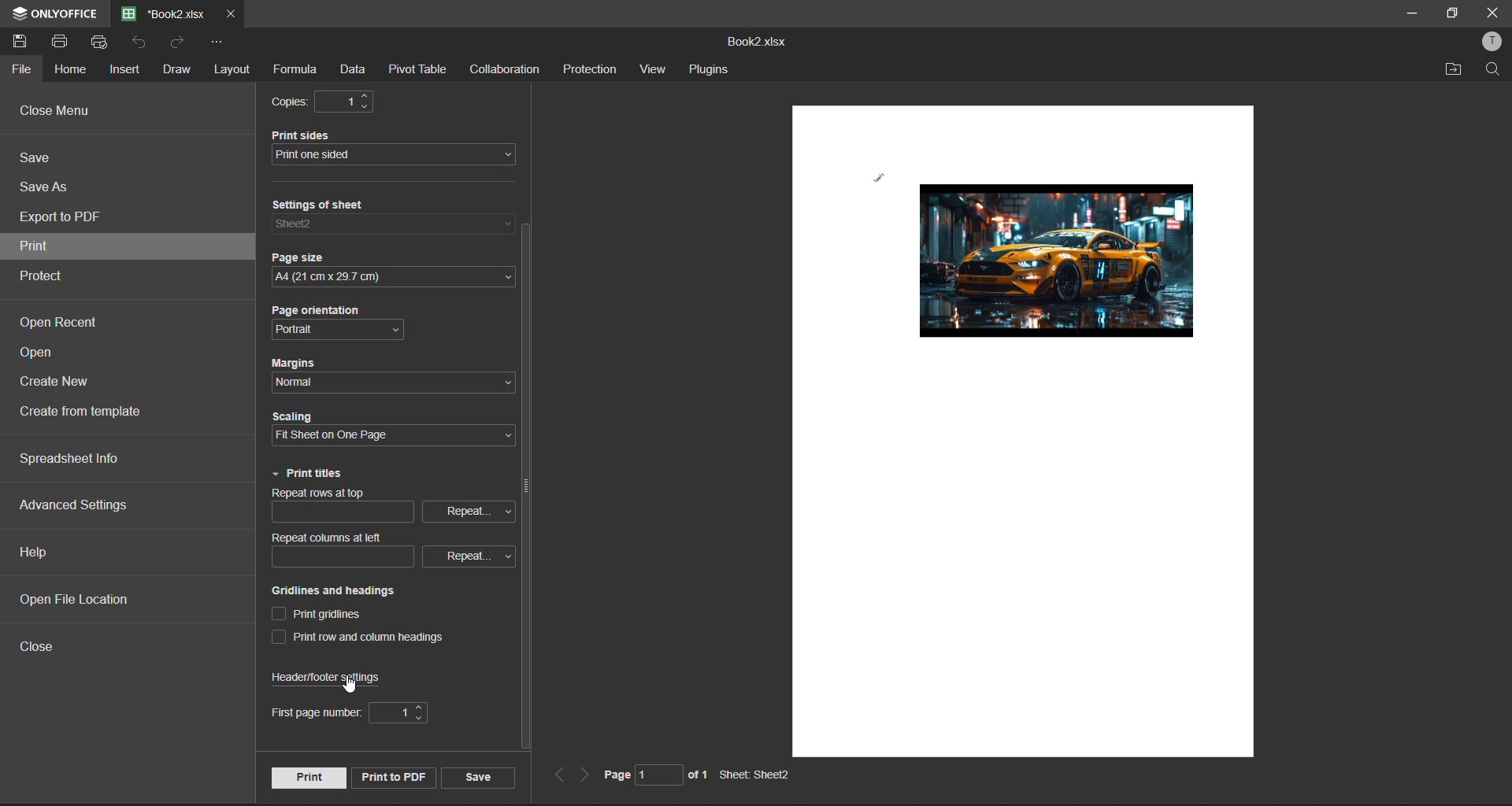  What do you see at coordinates (761, 775) in the screenshot?
I see `sheet name` at bounding box center [761, 775].